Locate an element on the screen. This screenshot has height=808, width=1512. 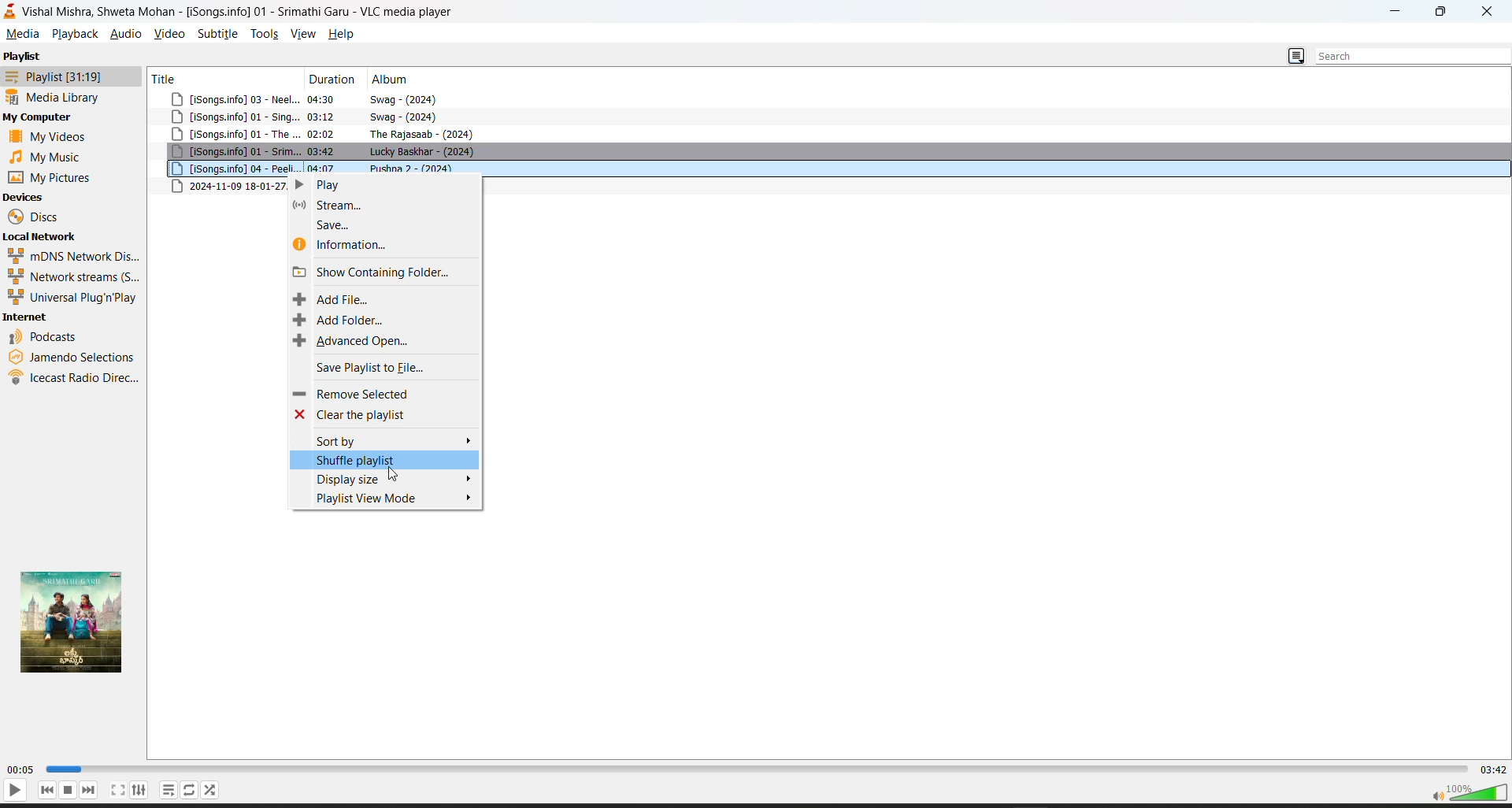
04:07 is located at coordinates (319, 168).